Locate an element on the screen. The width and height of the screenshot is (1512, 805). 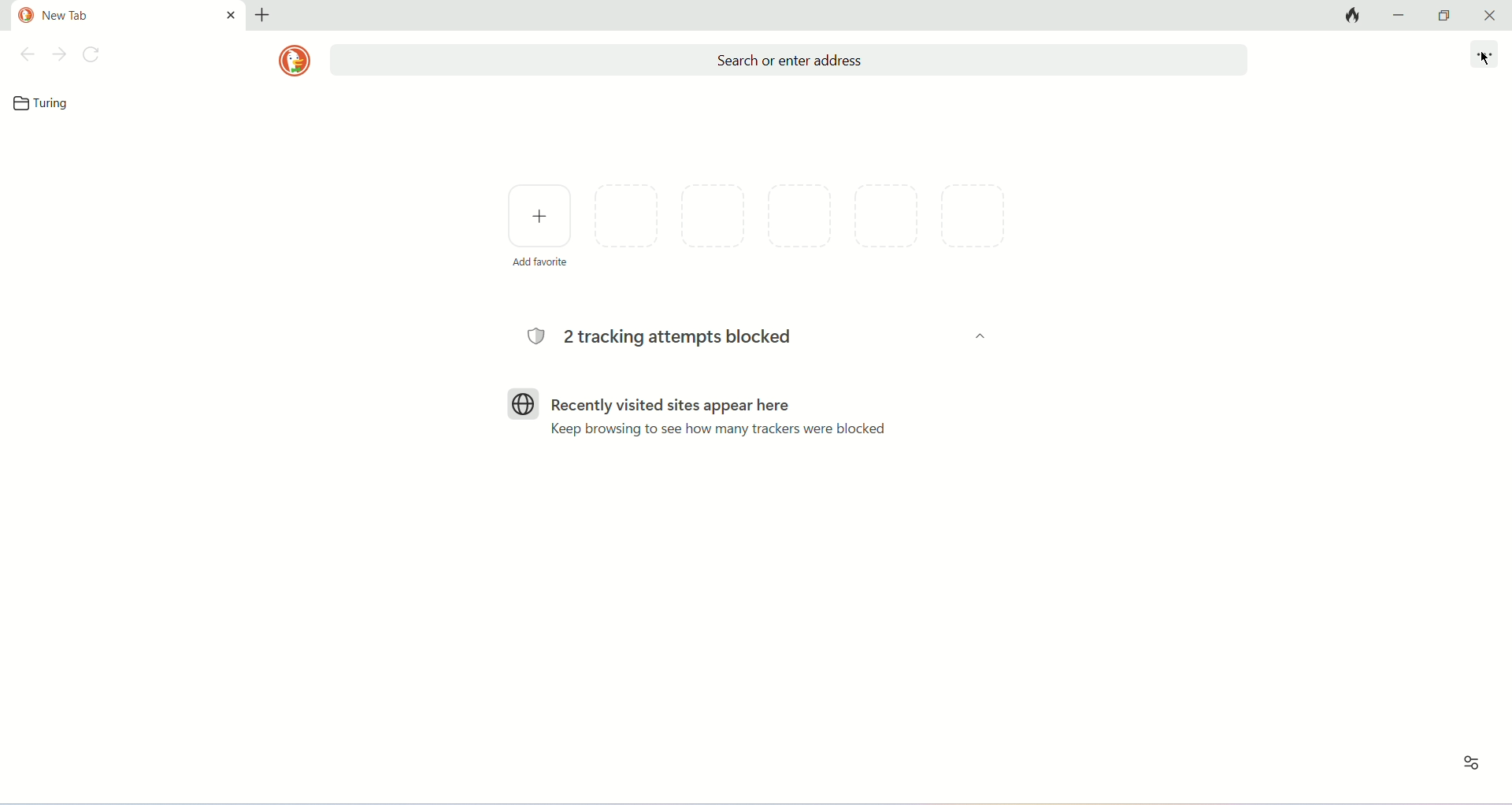
new tab is located at coordinates (264, 13).